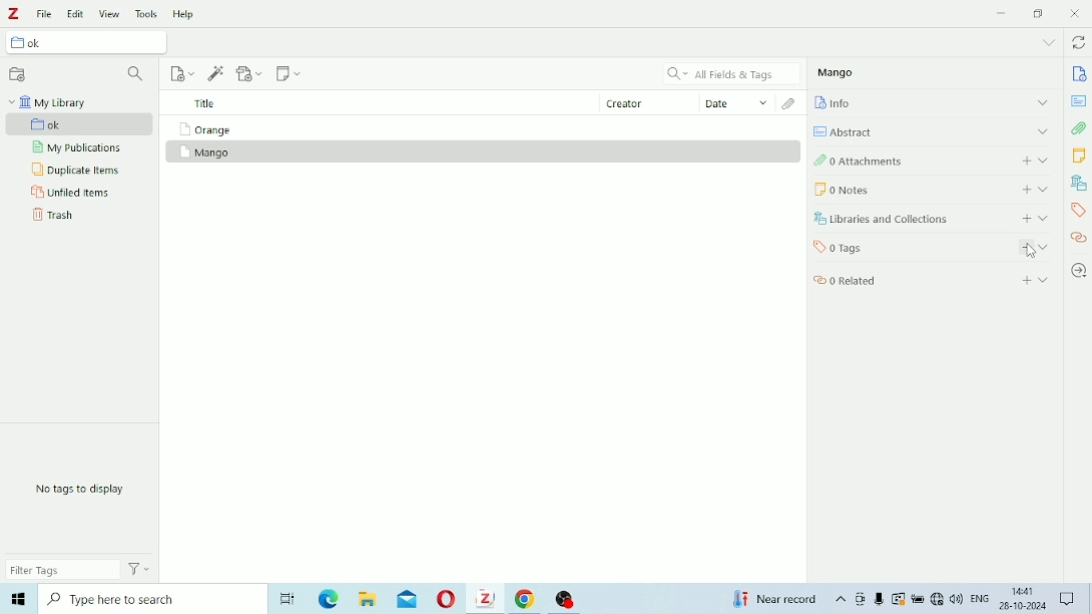 The image size is (1092, 614). I want to click on Related, so click(933, 278).